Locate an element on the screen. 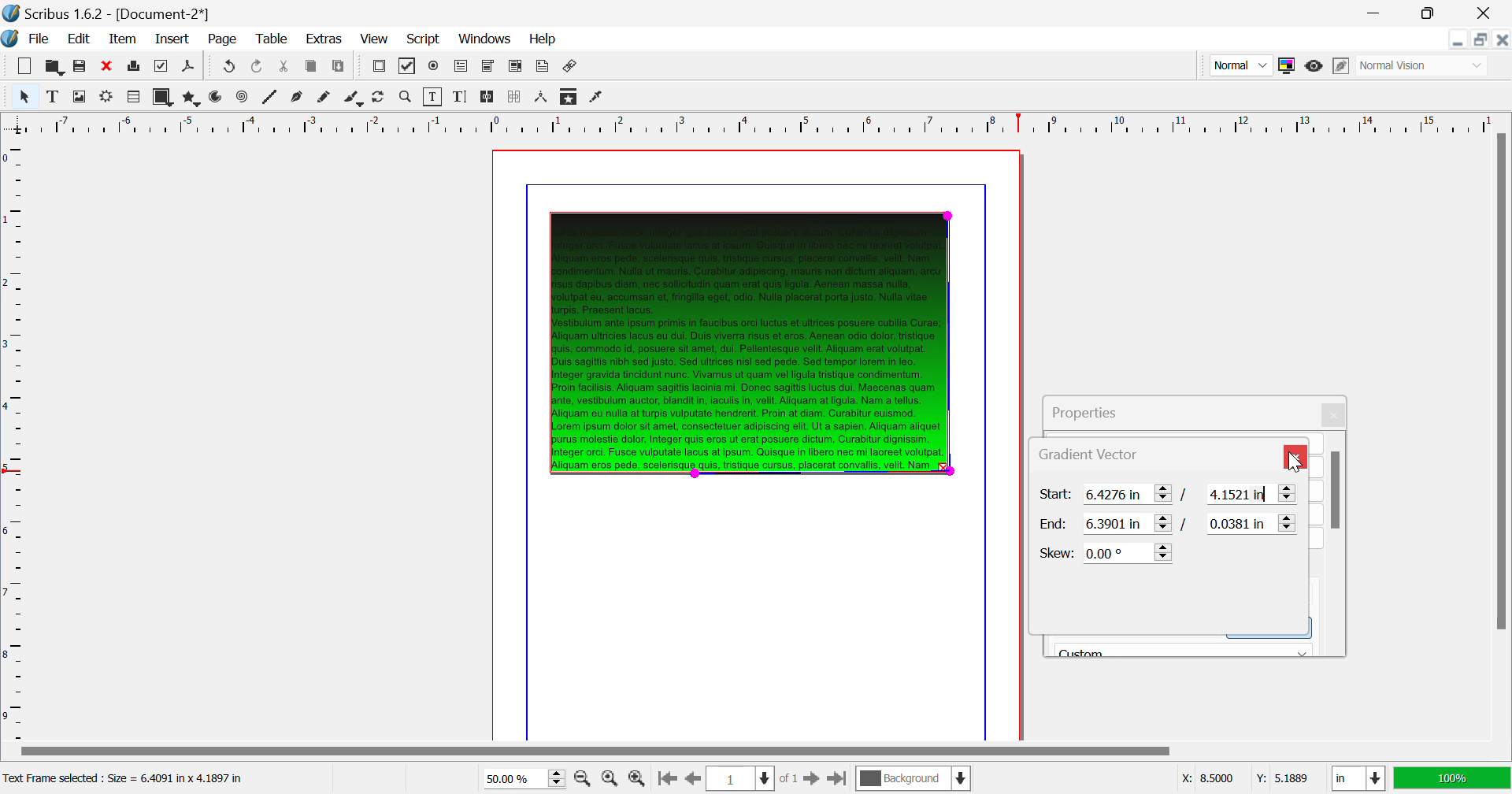  Table is located at coordinates (273, 40).